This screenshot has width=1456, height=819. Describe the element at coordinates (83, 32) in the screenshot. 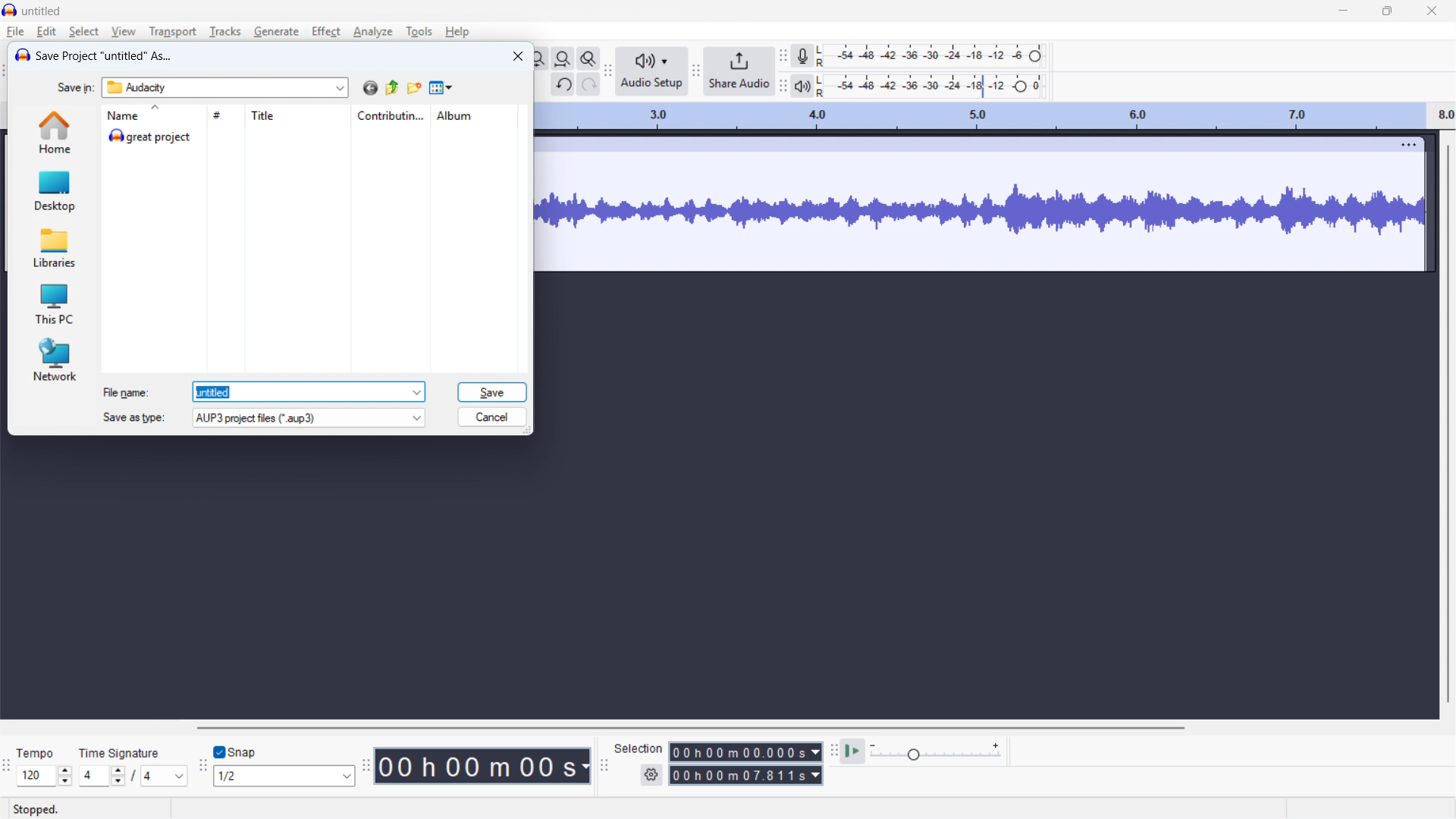

I see `select` at that location.